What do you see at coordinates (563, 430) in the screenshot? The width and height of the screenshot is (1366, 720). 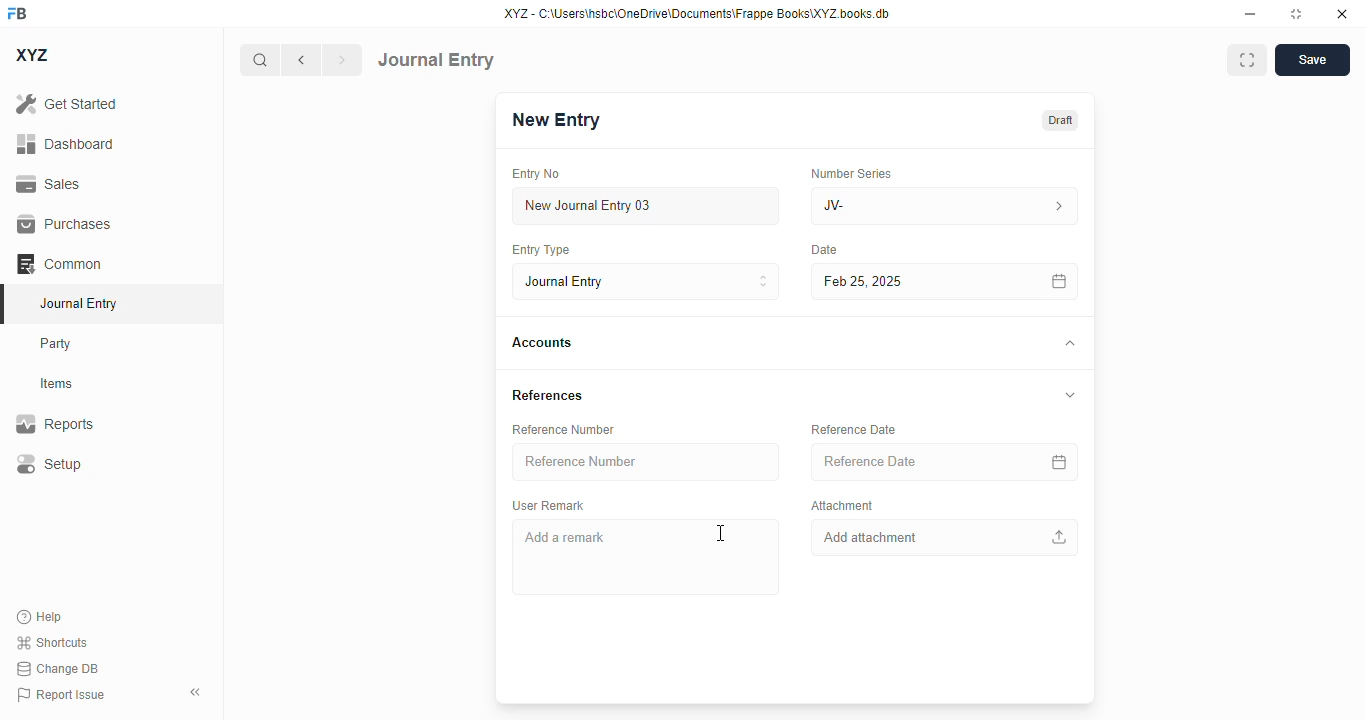 I see `reference number` at bounding box center [563, 430].